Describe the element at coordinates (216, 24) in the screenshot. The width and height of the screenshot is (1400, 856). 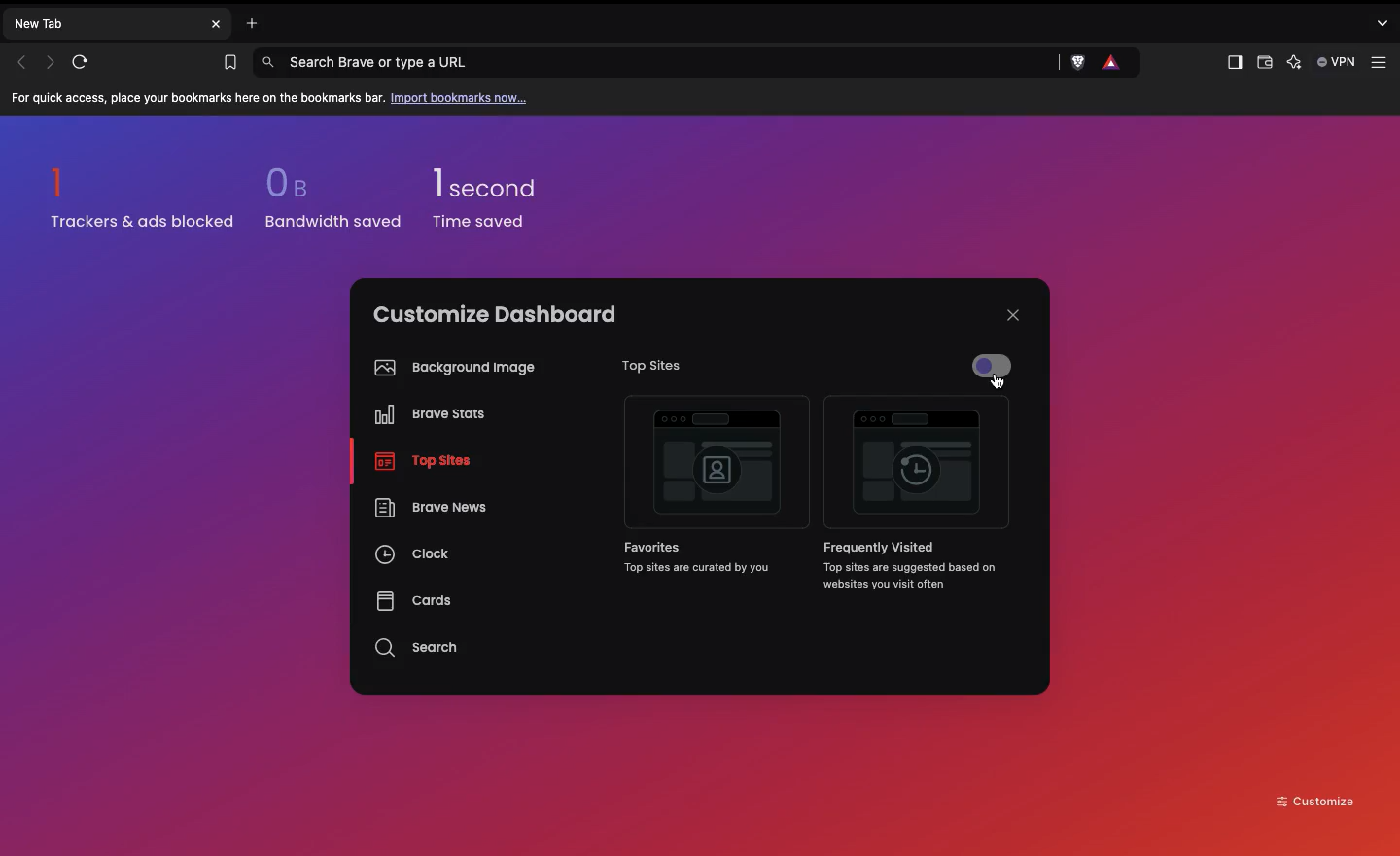
I see `Close new tab` at that location.